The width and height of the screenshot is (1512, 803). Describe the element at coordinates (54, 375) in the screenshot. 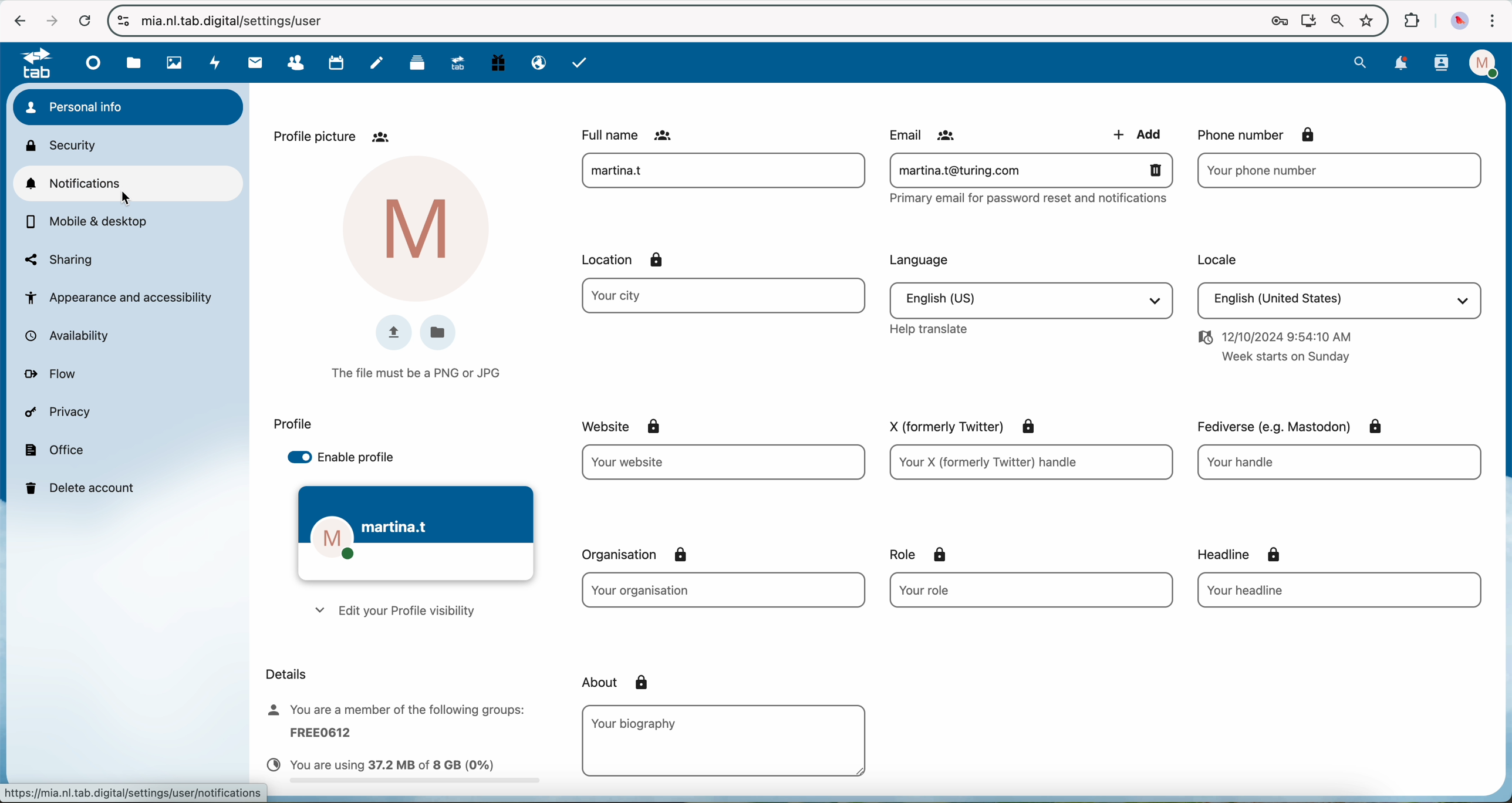

I see `flow` at that location.